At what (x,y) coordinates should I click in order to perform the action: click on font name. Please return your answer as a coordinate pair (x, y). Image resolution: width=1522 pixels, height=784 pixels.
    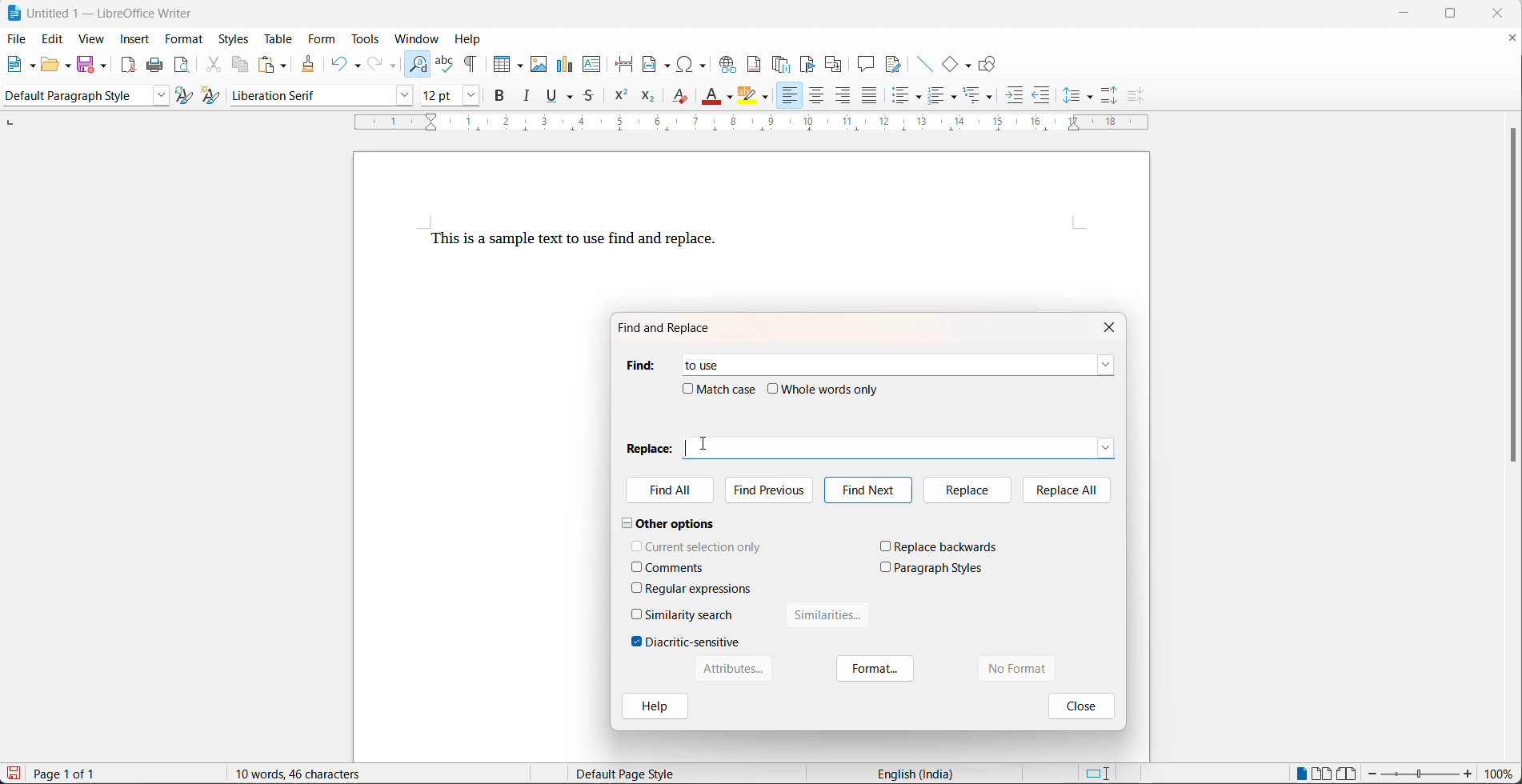
    Looking at the image, I should click on (306, 96).